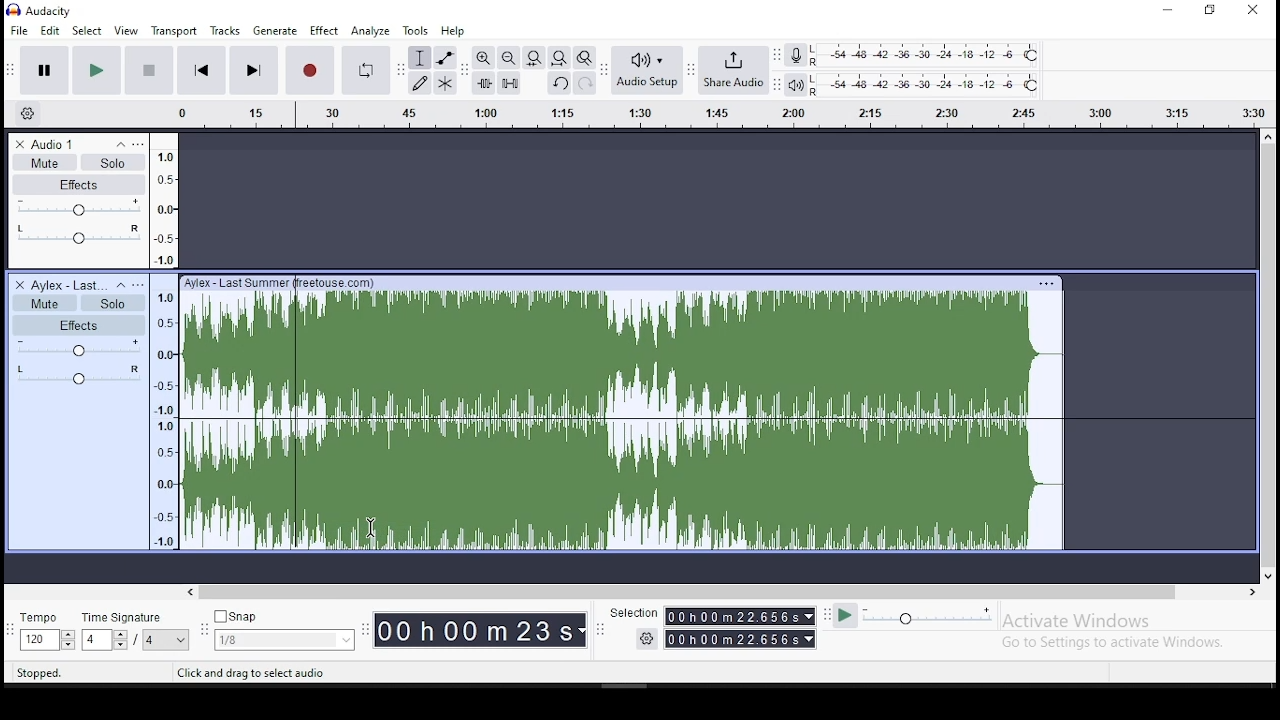 Image resolution: width=1280 pixels, height=720 pixels. Describe the element at coordinates (509, 82) in the screenshot. I see `silence audio selection` at that location.